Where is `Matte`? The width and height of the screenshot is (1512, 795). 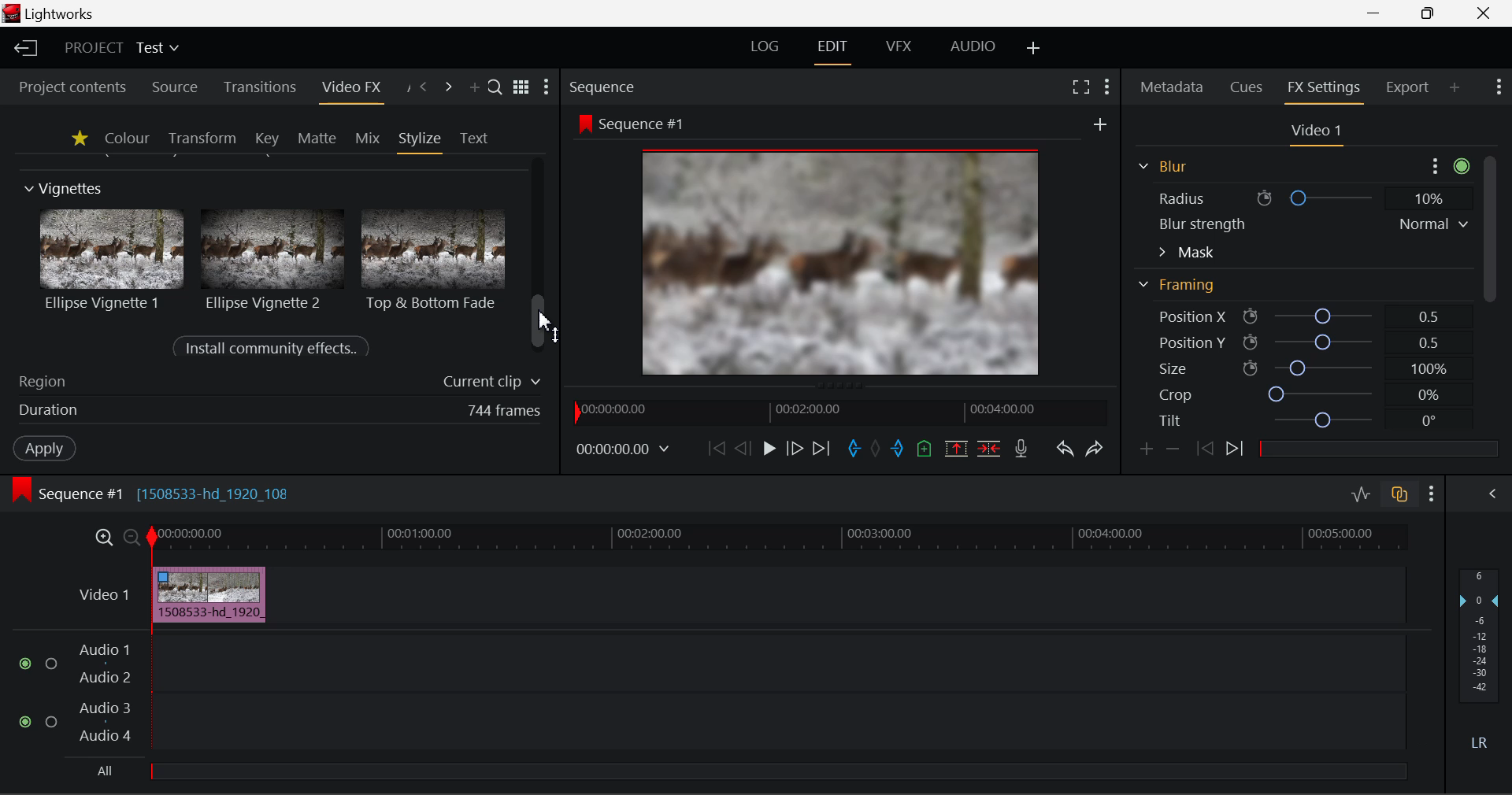
Matte is located at coordinates (317, 138).